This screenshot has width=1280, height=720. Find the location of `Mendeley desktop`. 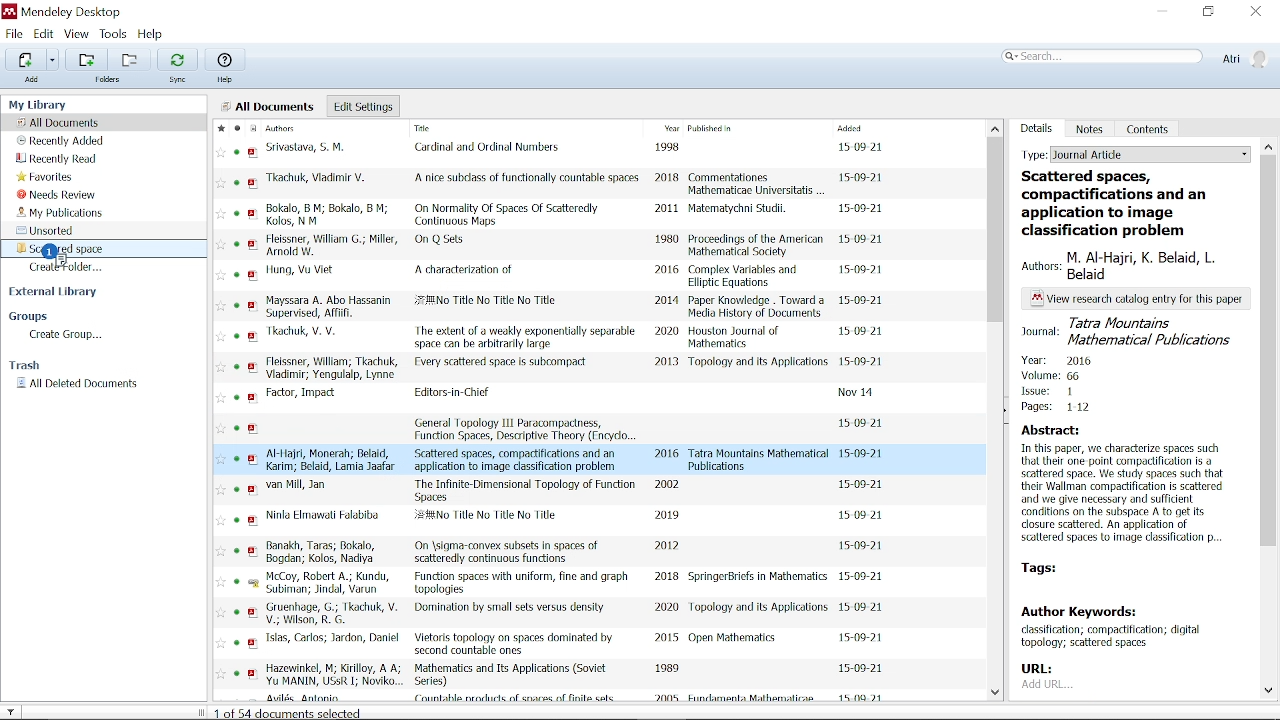

Mendeley desktop is located at coordinates (61, 12).